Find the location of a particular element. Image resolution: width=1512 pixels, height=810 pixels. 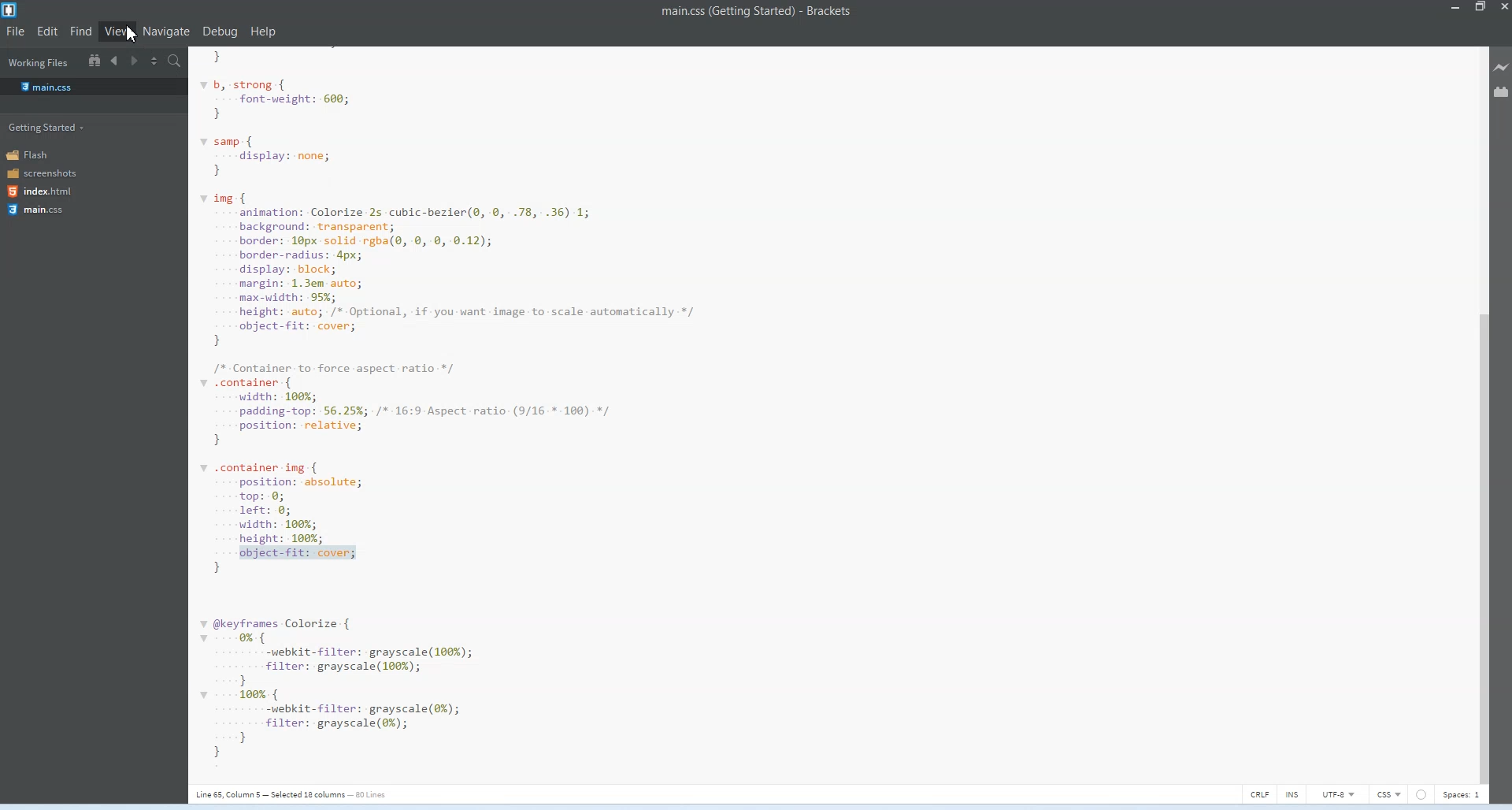

Navigate is located at coordinates (166, 32).